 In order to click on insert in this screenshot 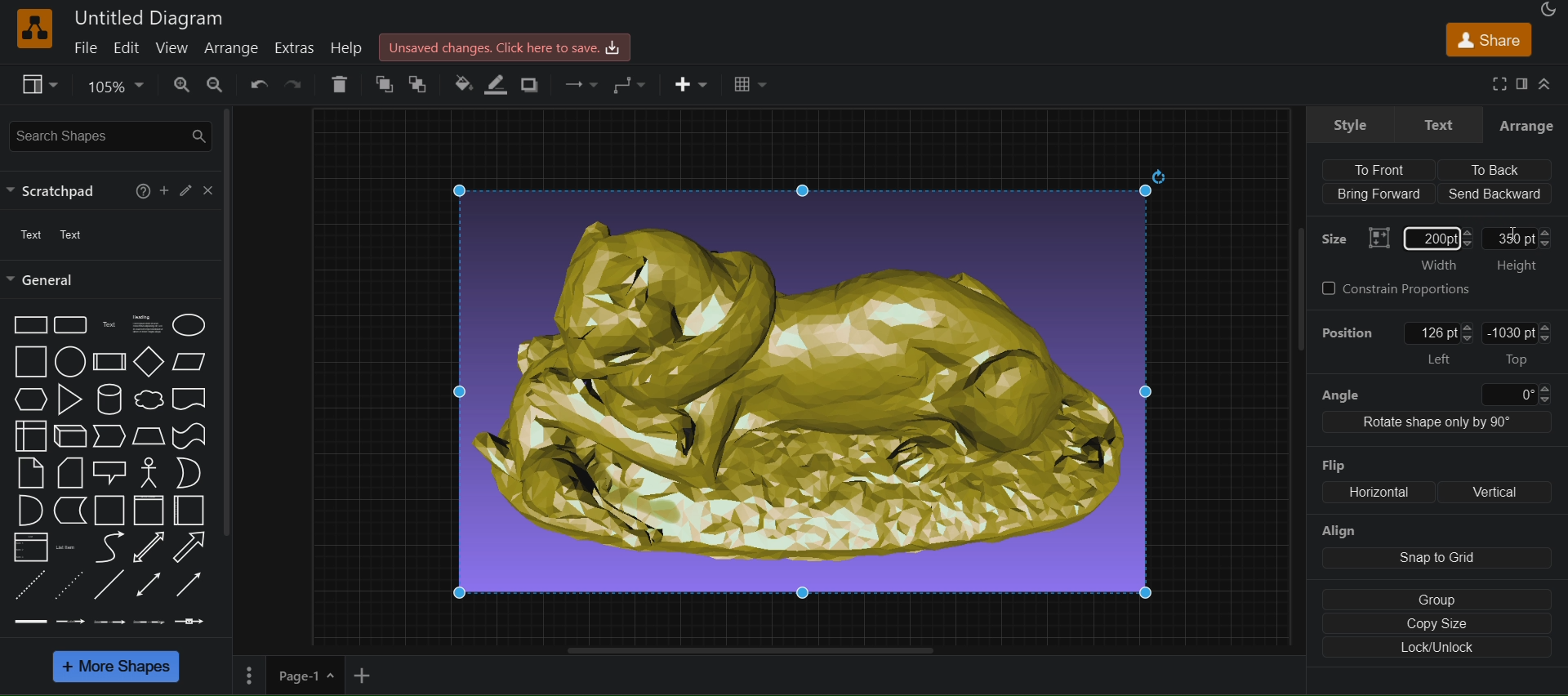, I will do `click(692, 87)`.